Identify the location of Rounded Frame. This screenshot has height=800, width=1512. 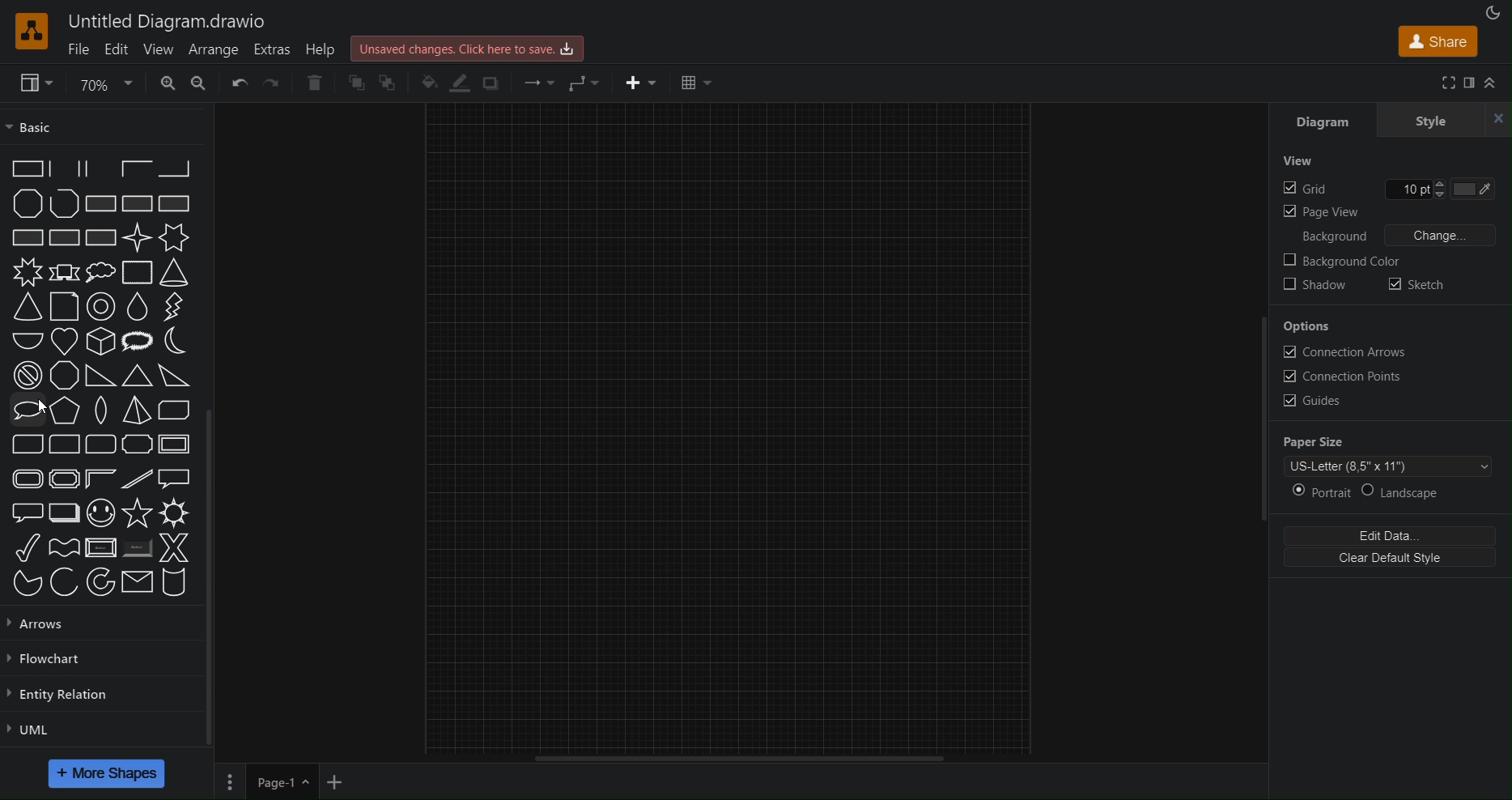
(28, 479).